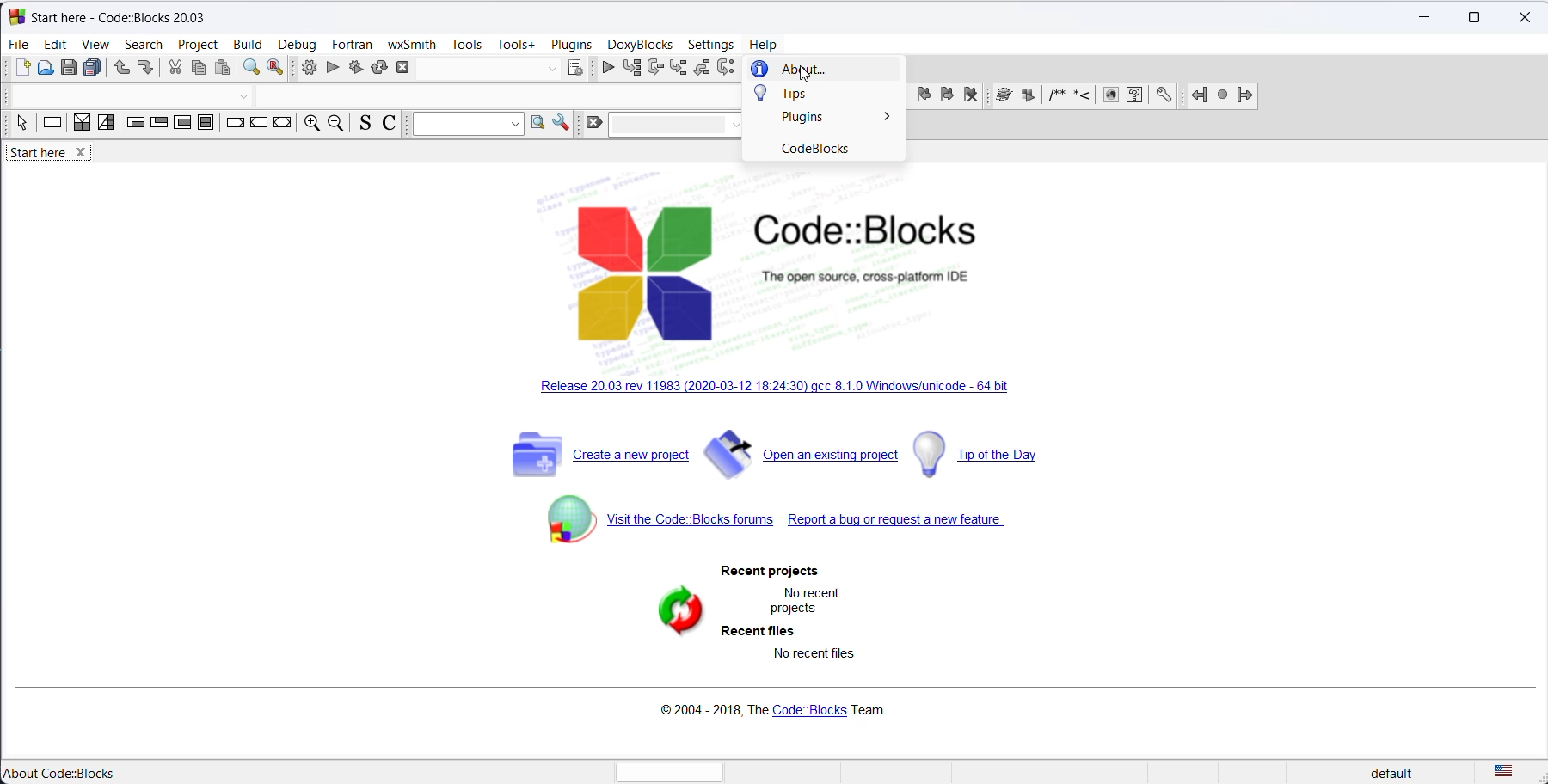  I want to click on recent projects, so click(778, 571).